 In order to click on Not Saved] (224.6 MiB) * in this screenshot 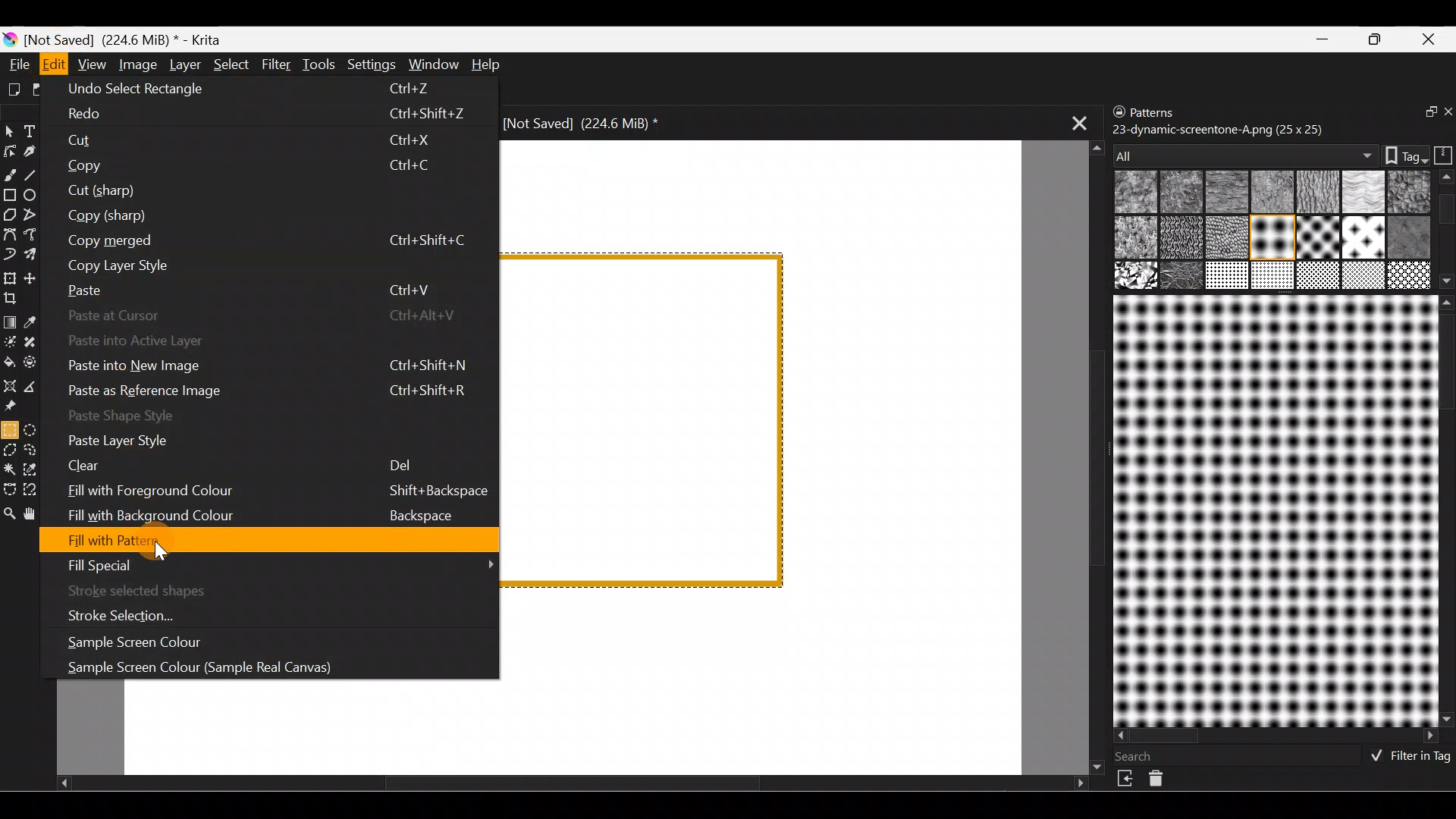, I will do `click(596, 124)`.